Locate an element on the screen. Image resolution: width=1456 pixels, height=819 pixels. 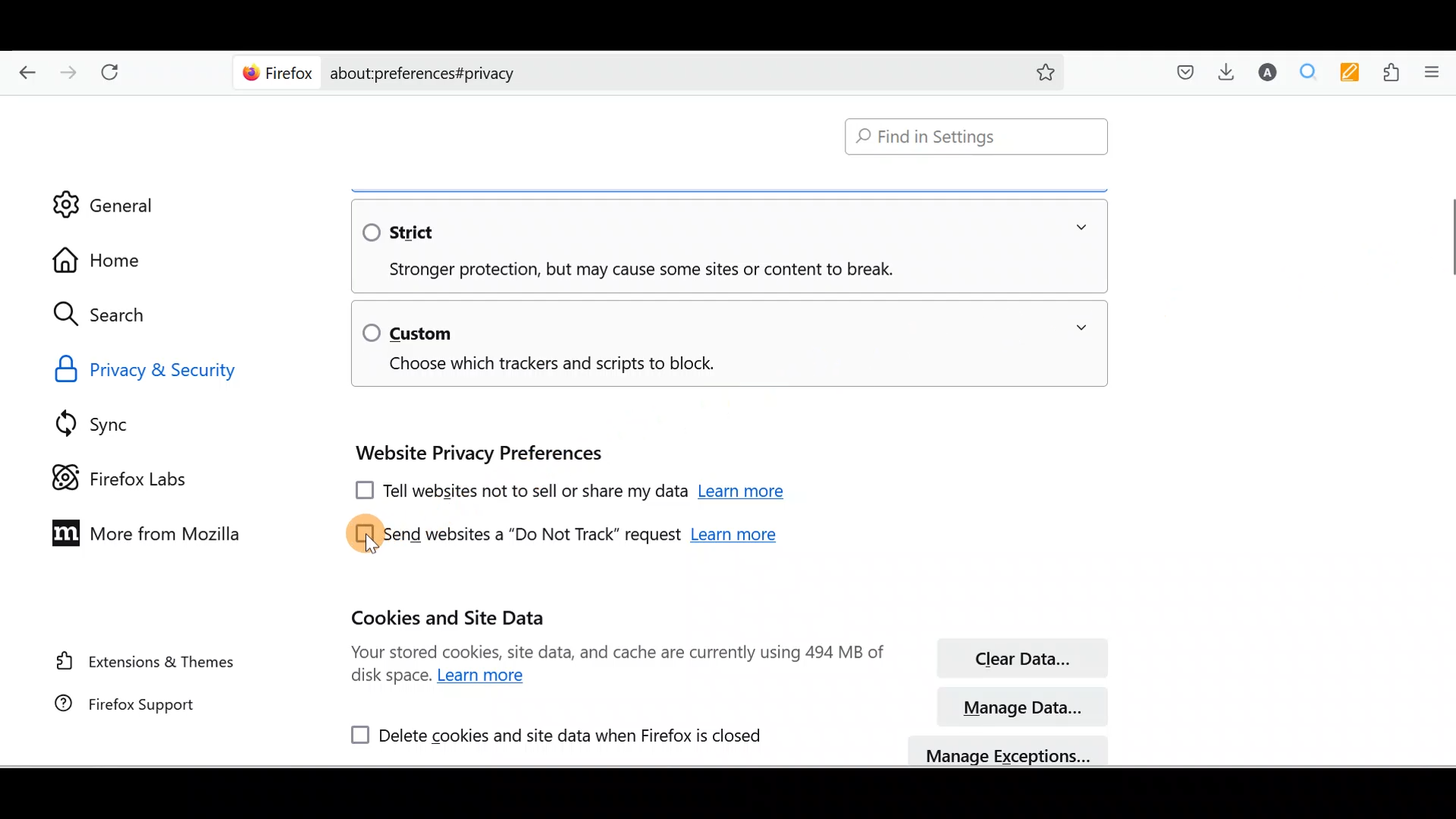
General is located at coordinates (124, 201).